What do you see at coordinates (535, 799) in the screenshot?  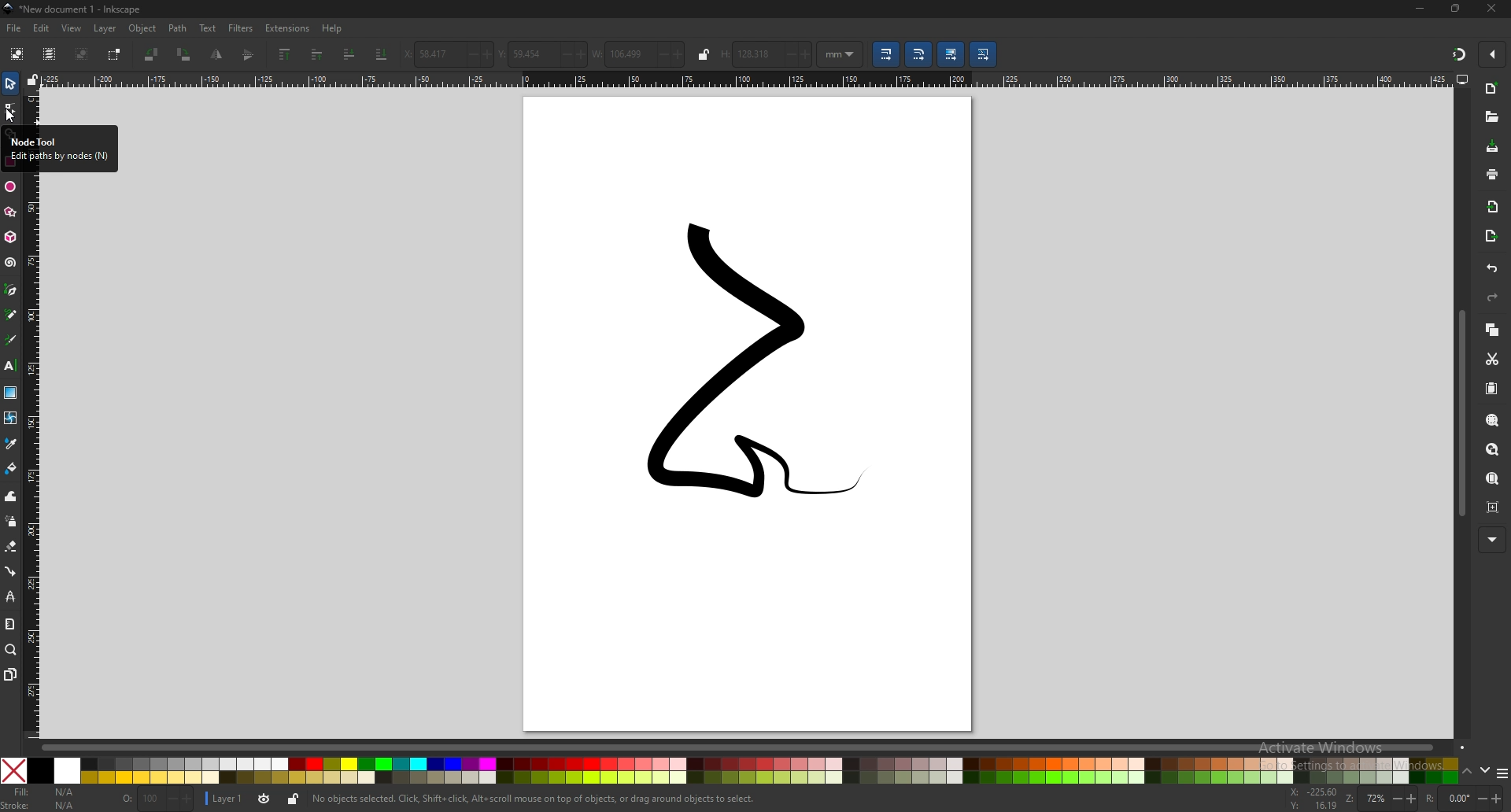 I see `info` at bounding box center [535, 799].